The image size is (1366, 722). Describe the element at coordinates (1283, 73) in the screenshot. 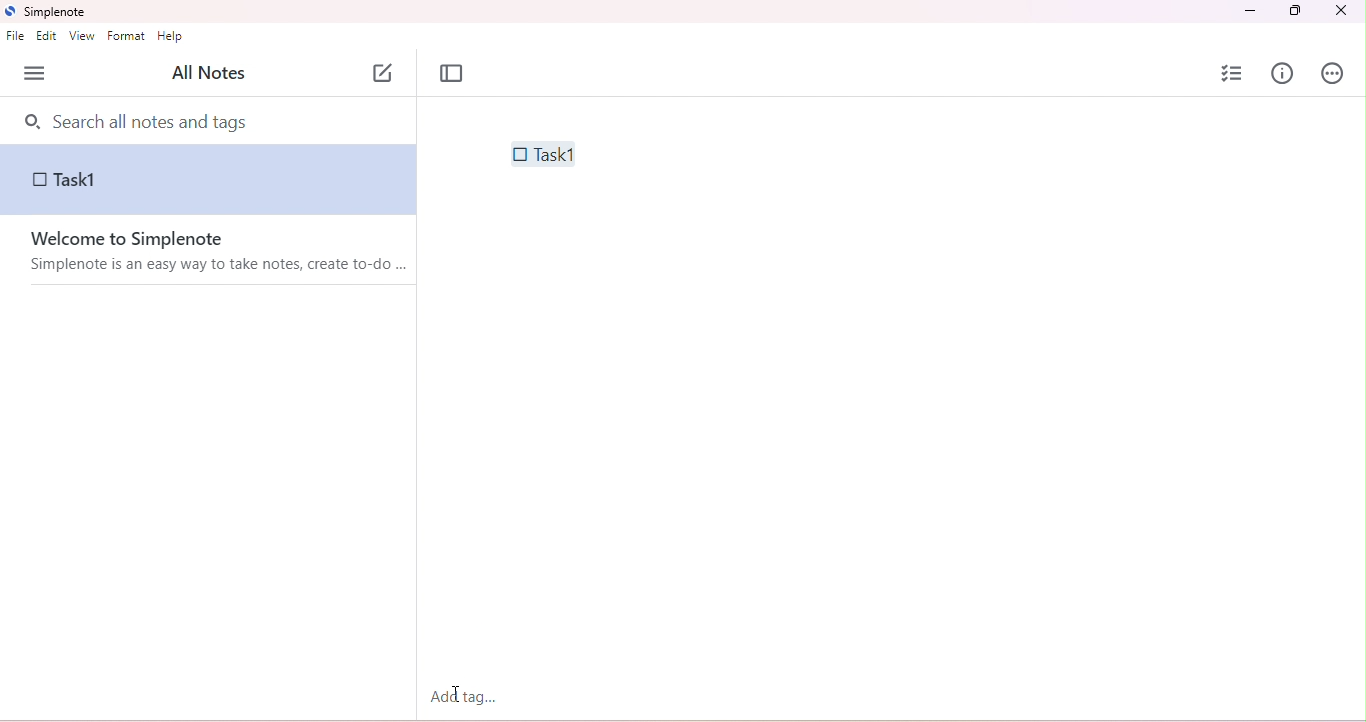

I see `info` at that location.